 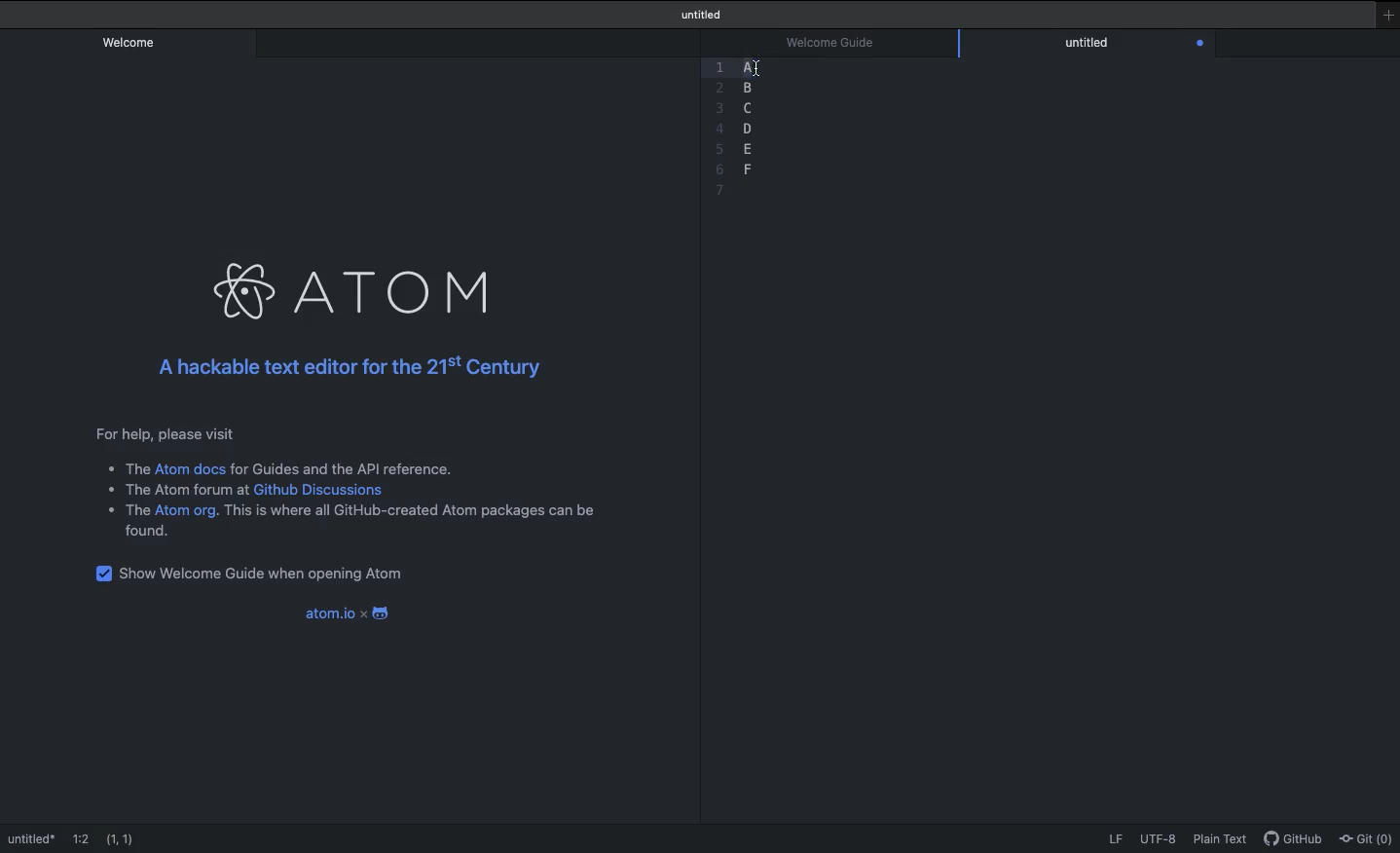 What do you see at coordinates (341, 483) in the screenshot?
I see `Instructional text` at bounding box center [341, 483].